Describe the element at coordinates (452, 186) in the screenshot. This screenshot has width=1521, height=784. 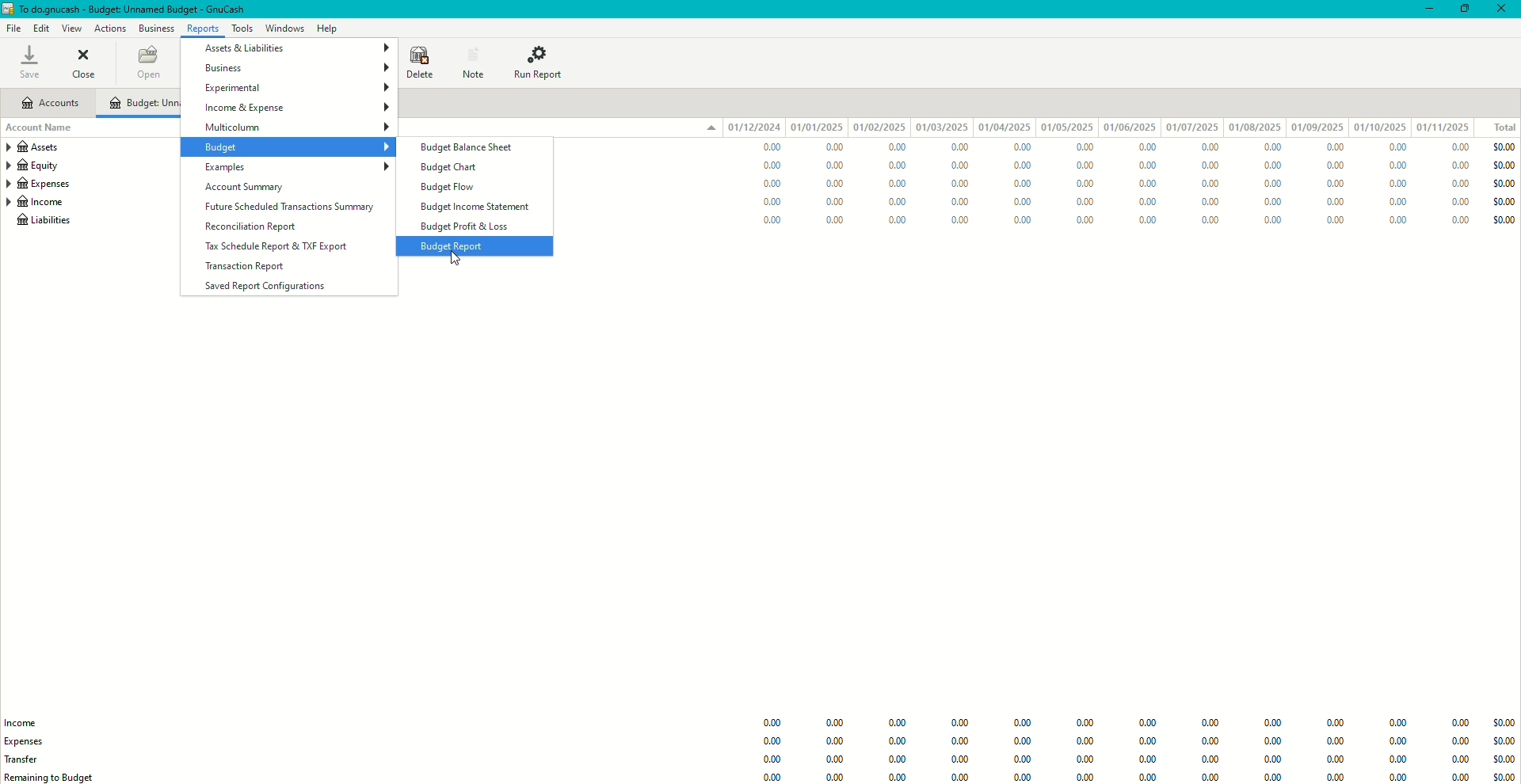
I see `Budget Flow` at that location.